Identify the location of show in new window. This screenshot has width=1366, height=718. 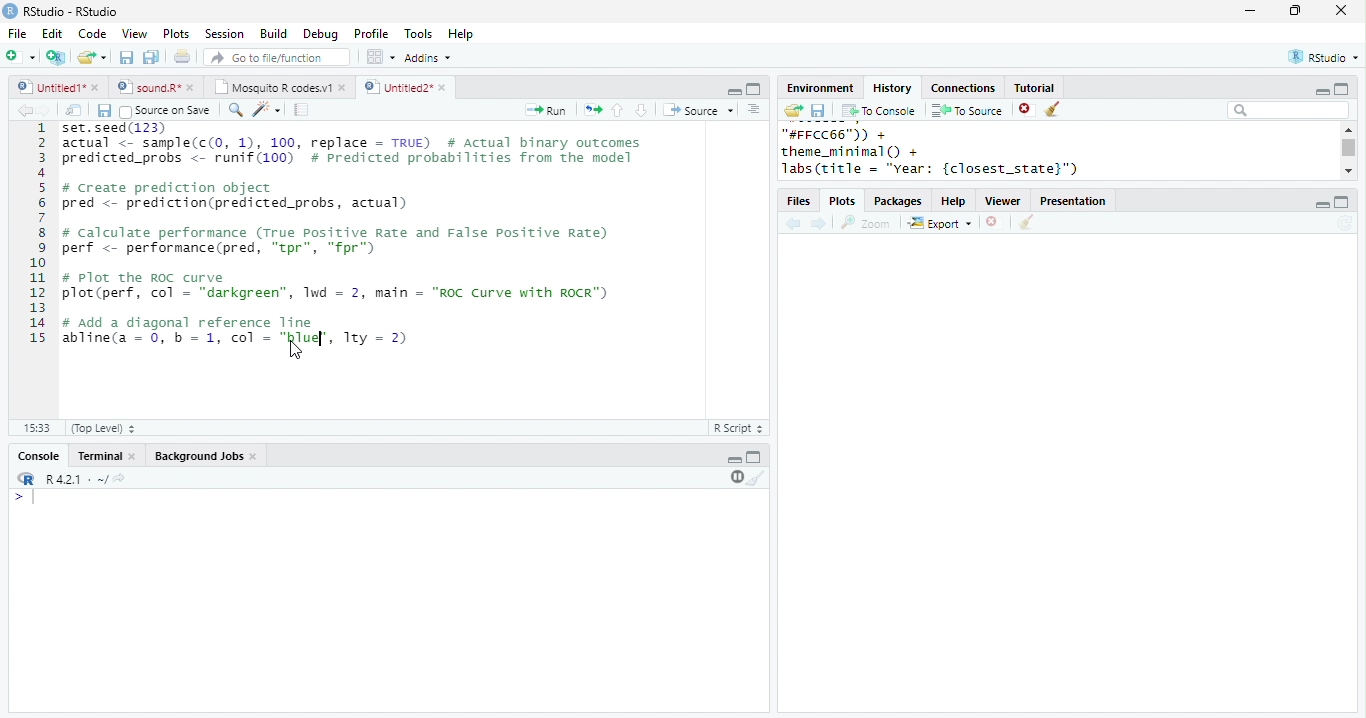
(75, 110).